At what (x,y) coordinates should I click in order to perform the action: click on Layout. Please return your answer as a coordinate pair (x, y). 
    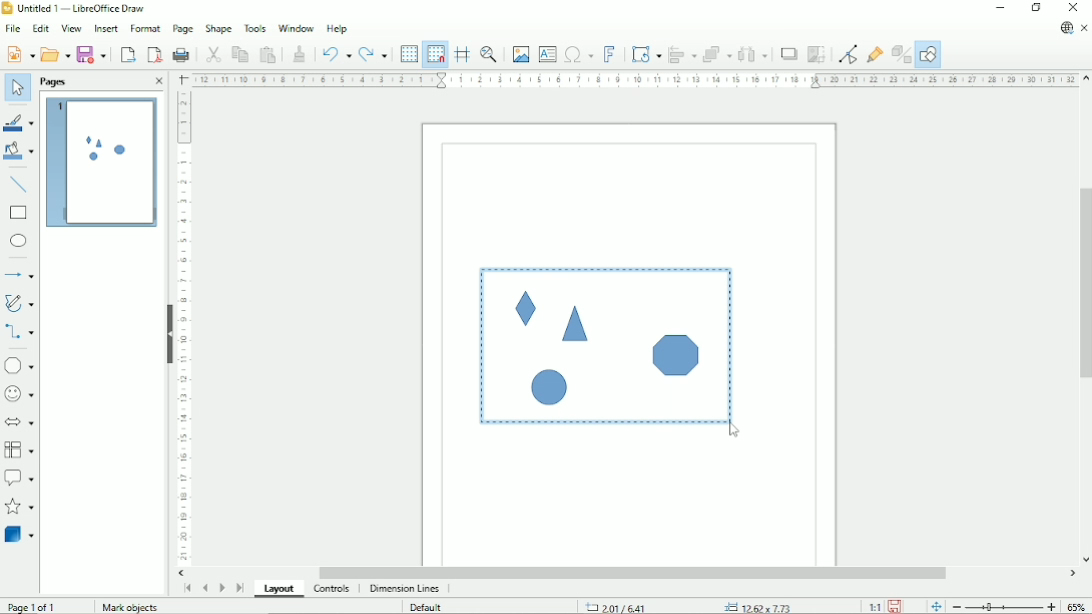
    Looking at the image, I should click on (279, 588).